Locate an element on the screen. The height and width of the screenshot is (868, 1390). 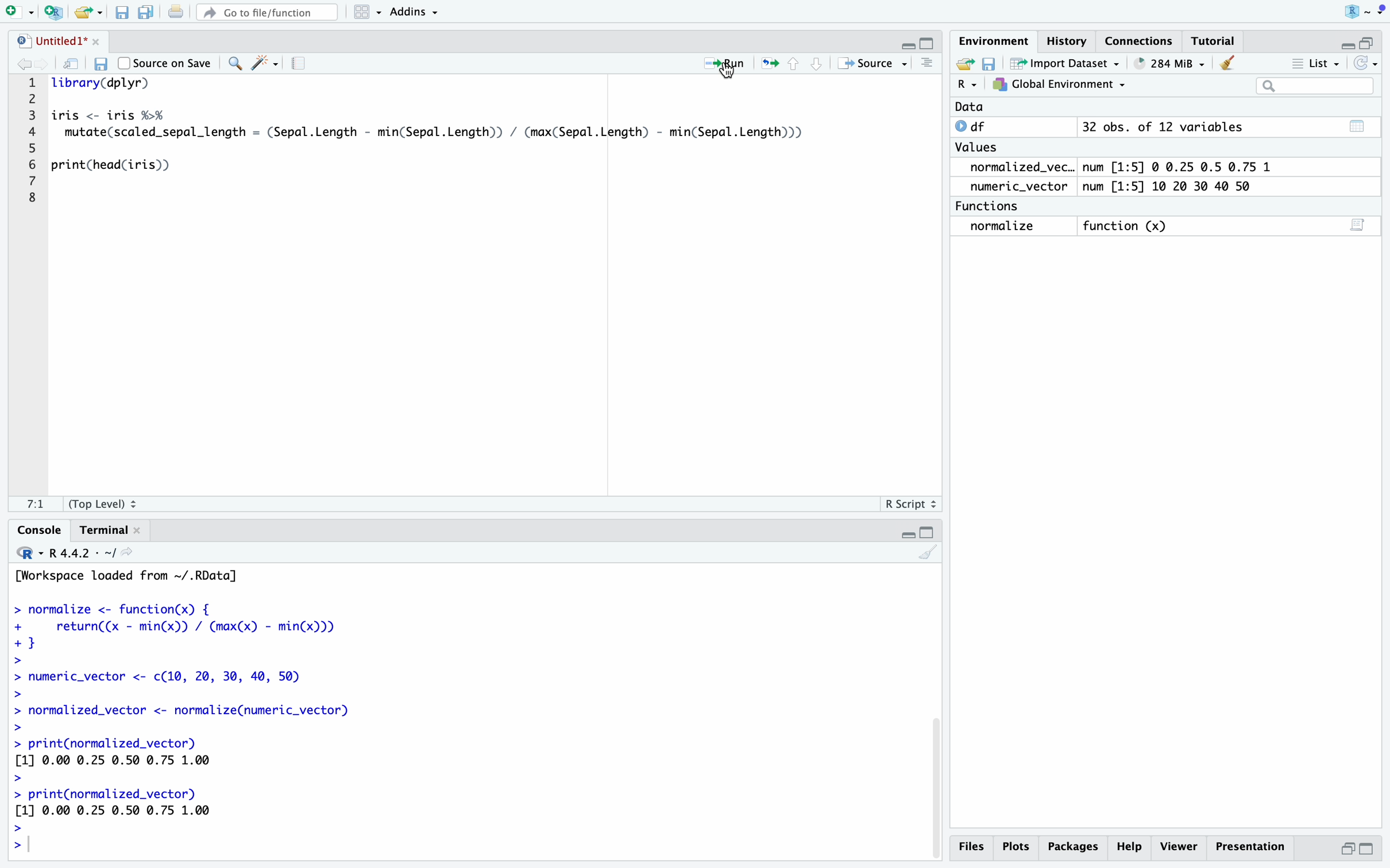
Back is located at coordinates (24, 63).